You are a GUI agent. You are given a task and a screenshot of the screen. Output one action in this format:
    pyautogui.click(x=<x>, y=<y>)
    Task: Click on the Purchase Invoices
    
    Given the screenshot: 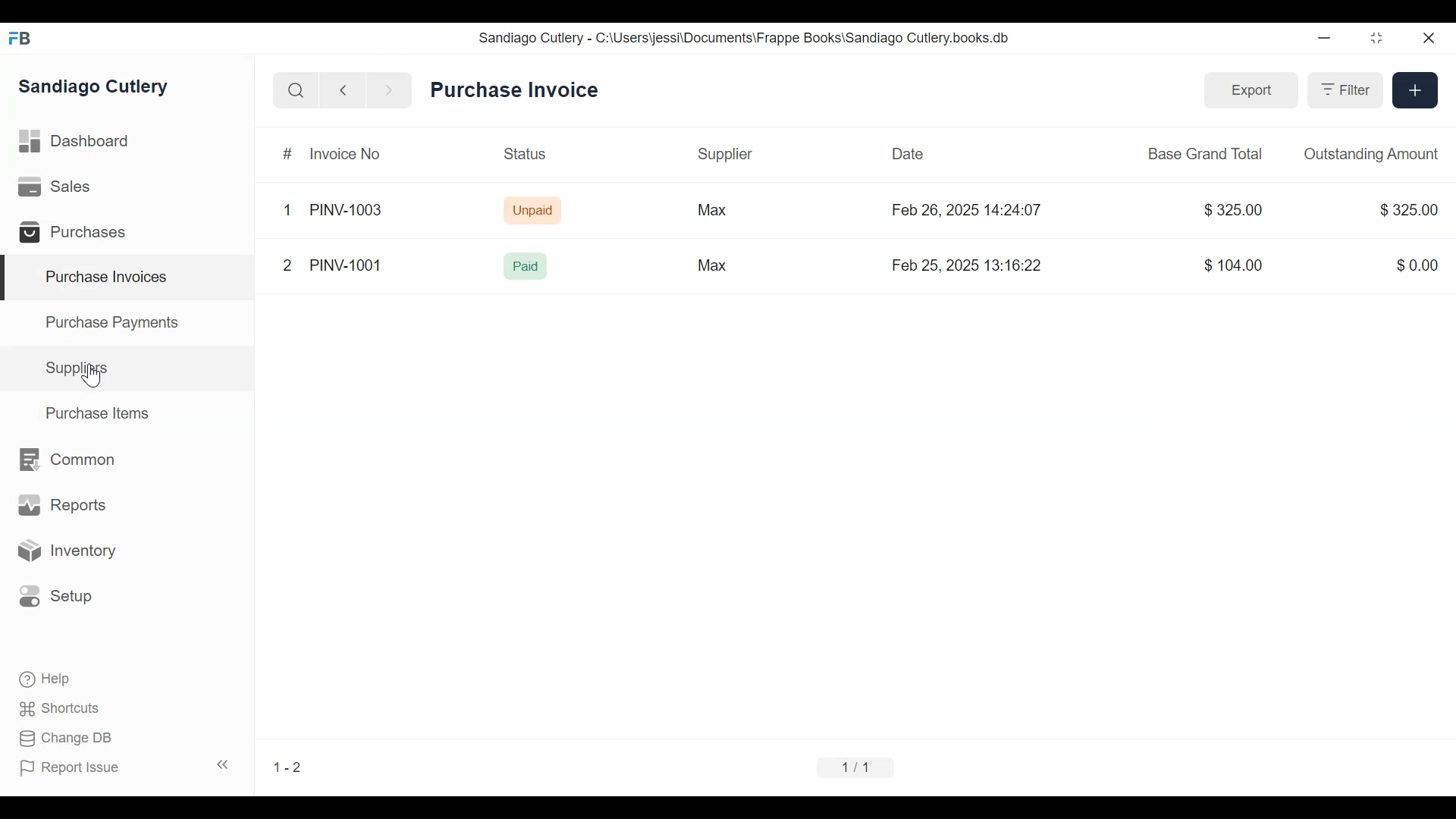 What is the action you would take?
    pyautogui.click(x=110, y=279)
    